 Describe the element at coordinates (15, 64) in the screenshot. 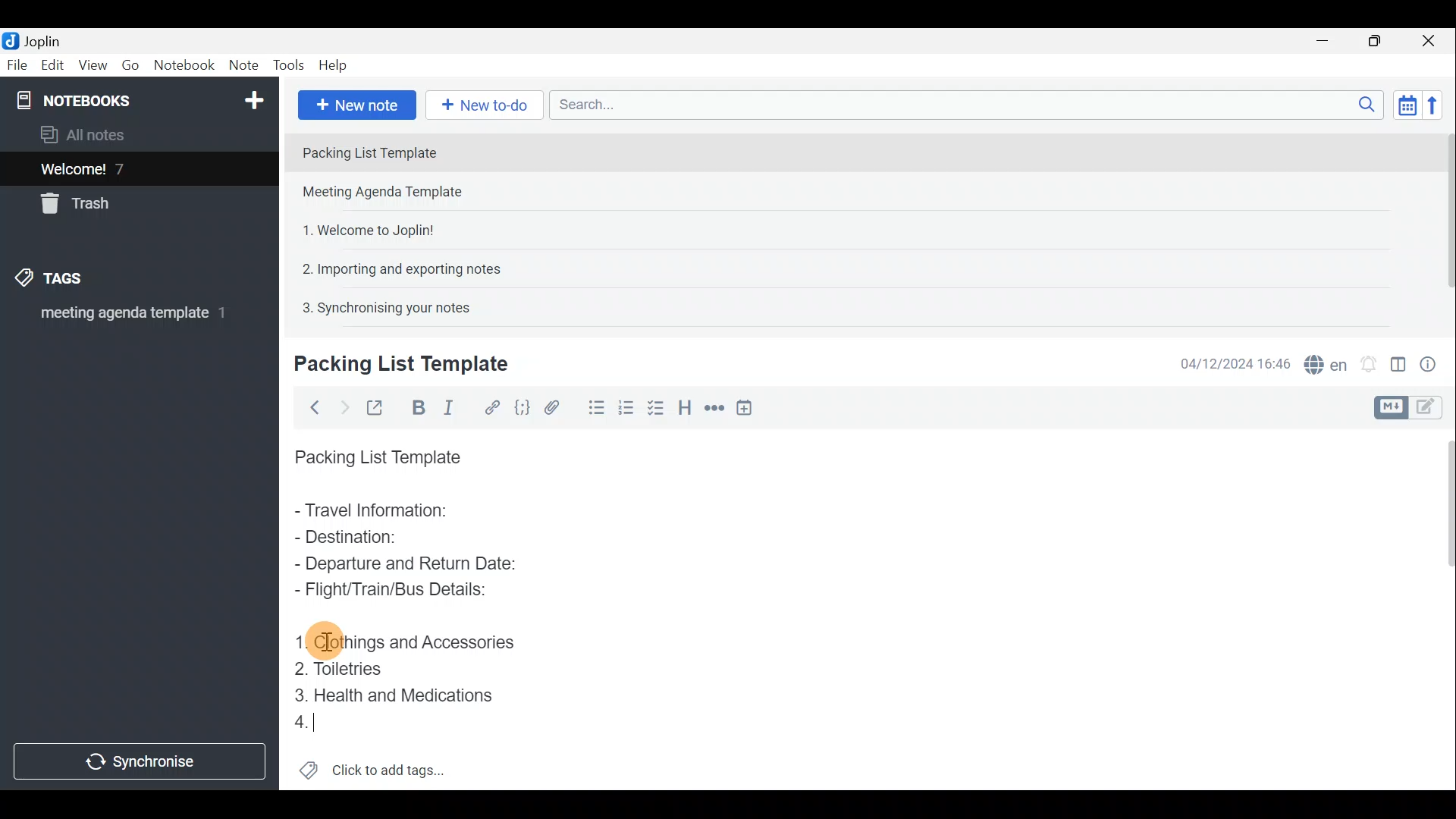

I see `File` at that location.